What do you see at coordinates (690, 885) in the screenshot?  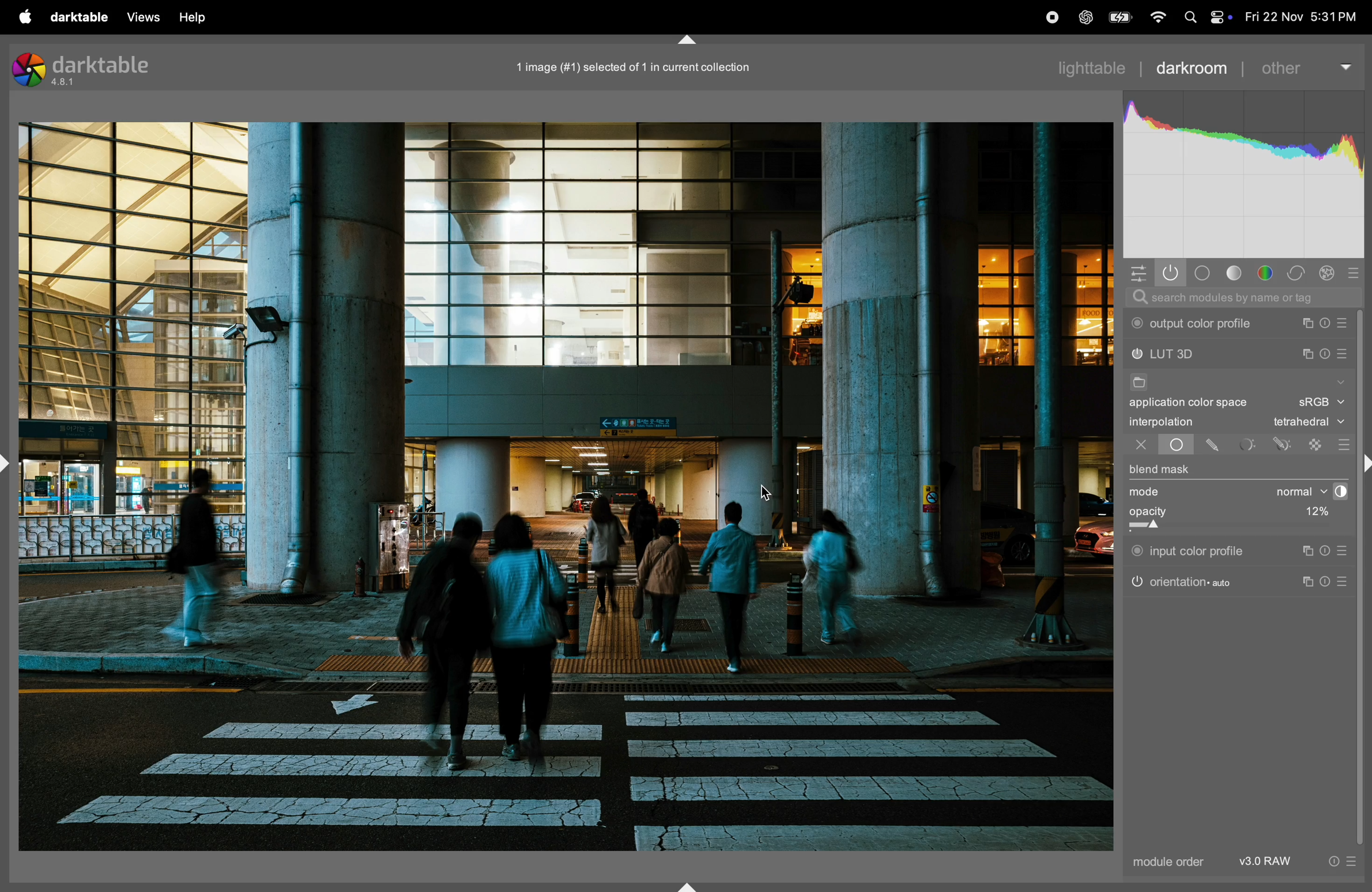 I see `shift+ctrl+b` at bounding box center [690, 885].